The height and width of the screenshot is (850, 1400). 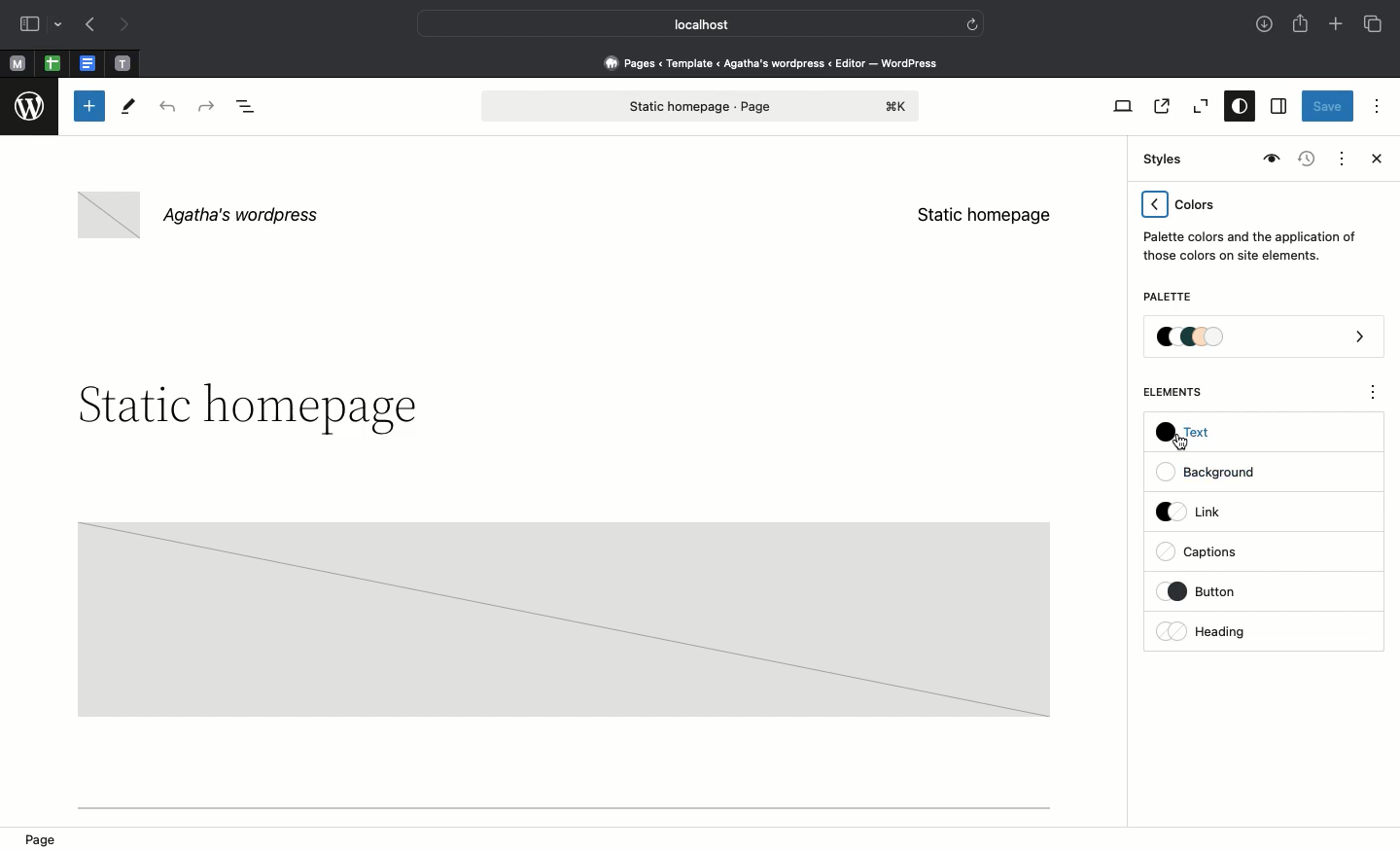 I want to click on View, so click(x=1119, y=106).